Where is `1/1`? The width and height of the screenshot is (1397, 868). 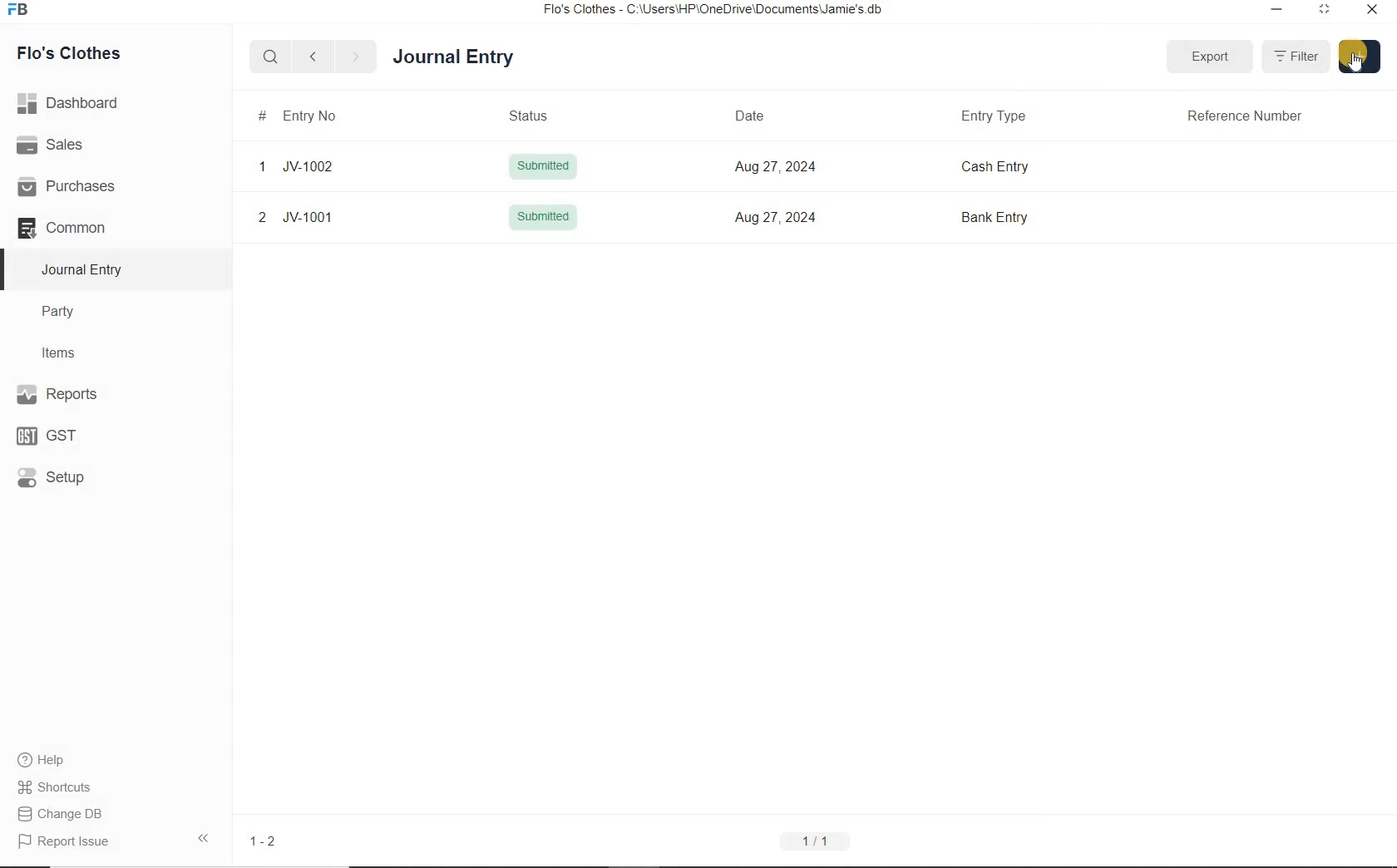 1/1 is located at coordinates (814, 841).